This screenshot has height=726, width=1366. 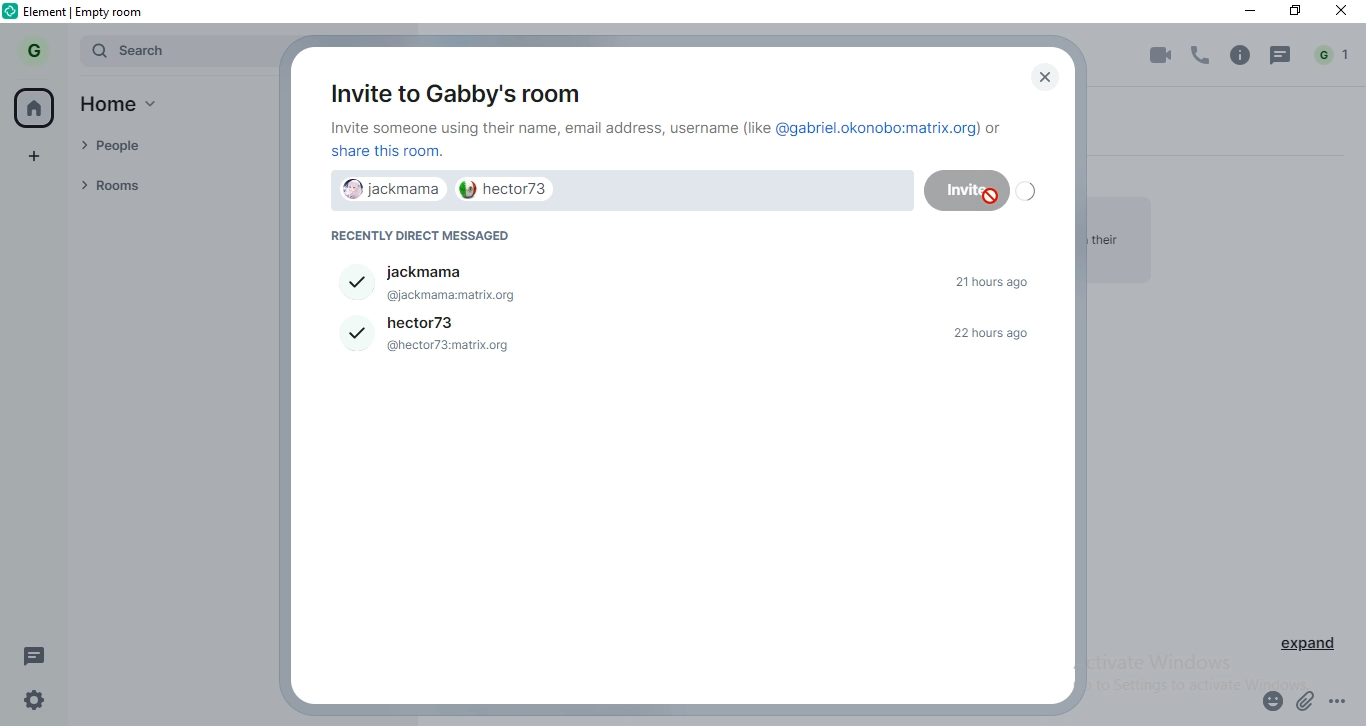 I want to click on hector73, so click(x=687, y=336).